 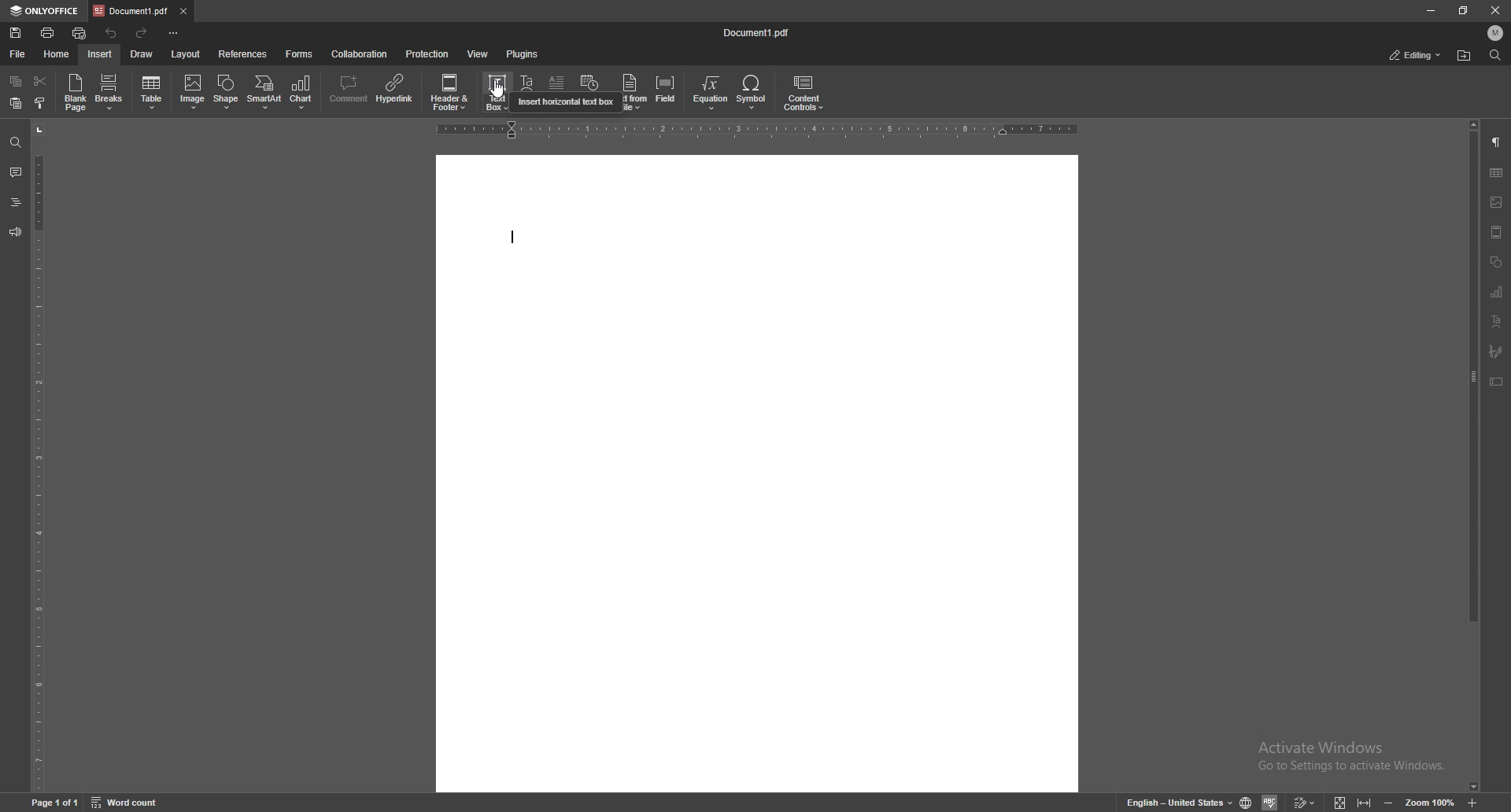 I want to click on vertical scale, so click(x=38, y=457).